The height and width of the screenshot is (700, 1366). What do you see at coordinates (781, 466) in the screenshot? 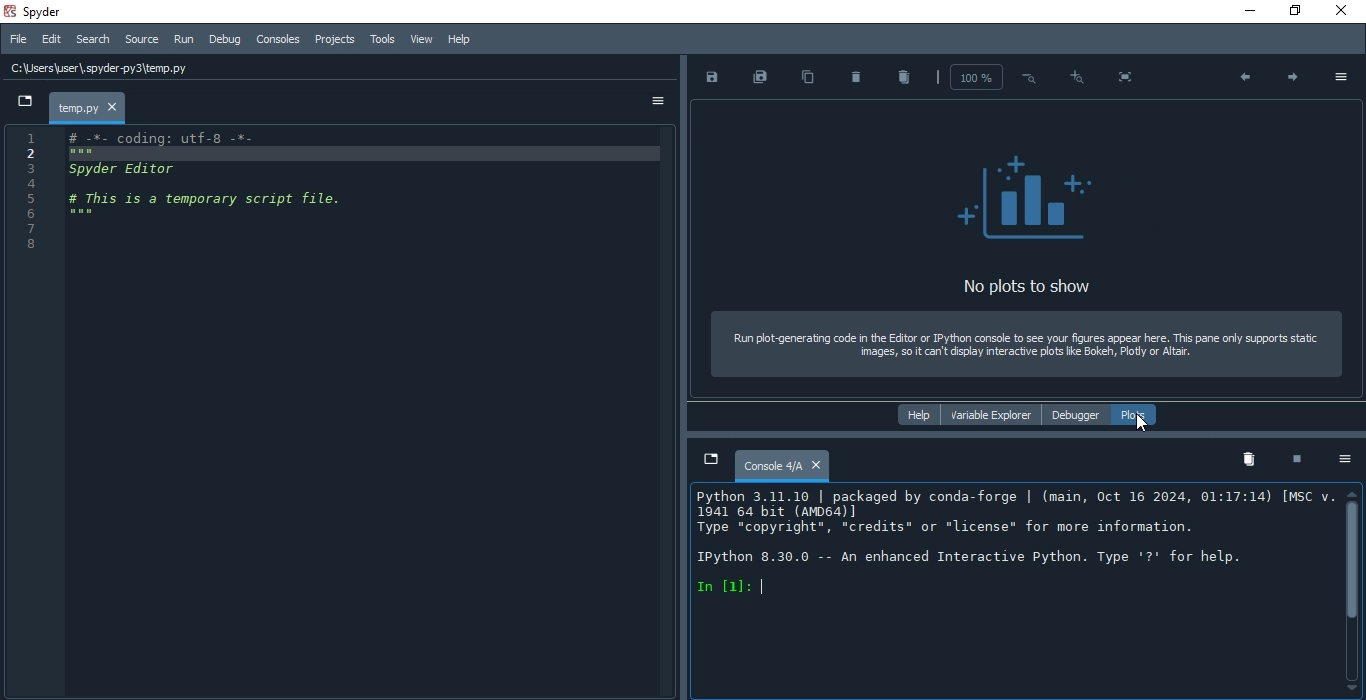
I see `console 4/A` at bounding box center [781, 466].